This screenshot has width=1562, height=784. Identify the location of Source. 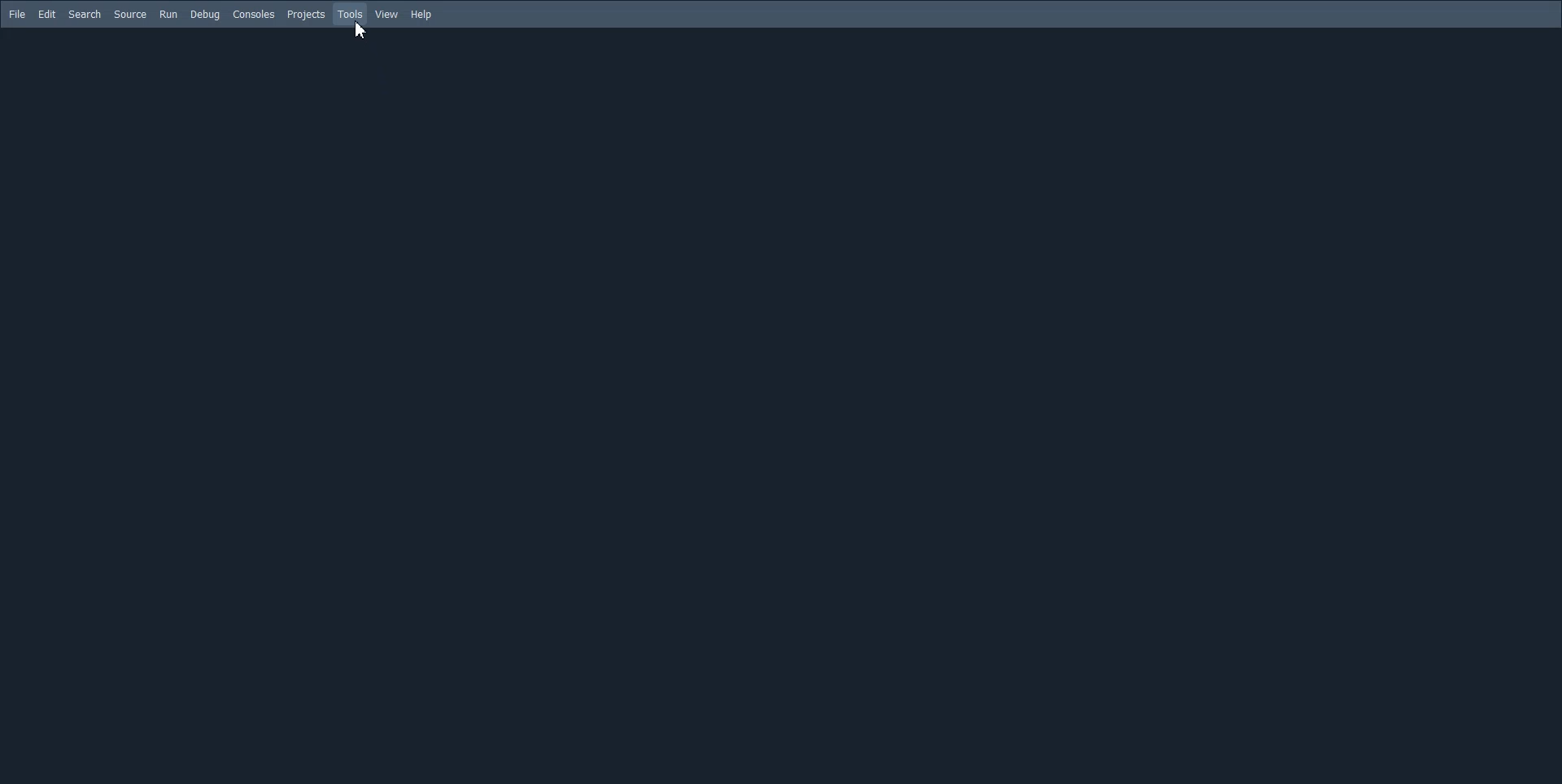
(131, 15).